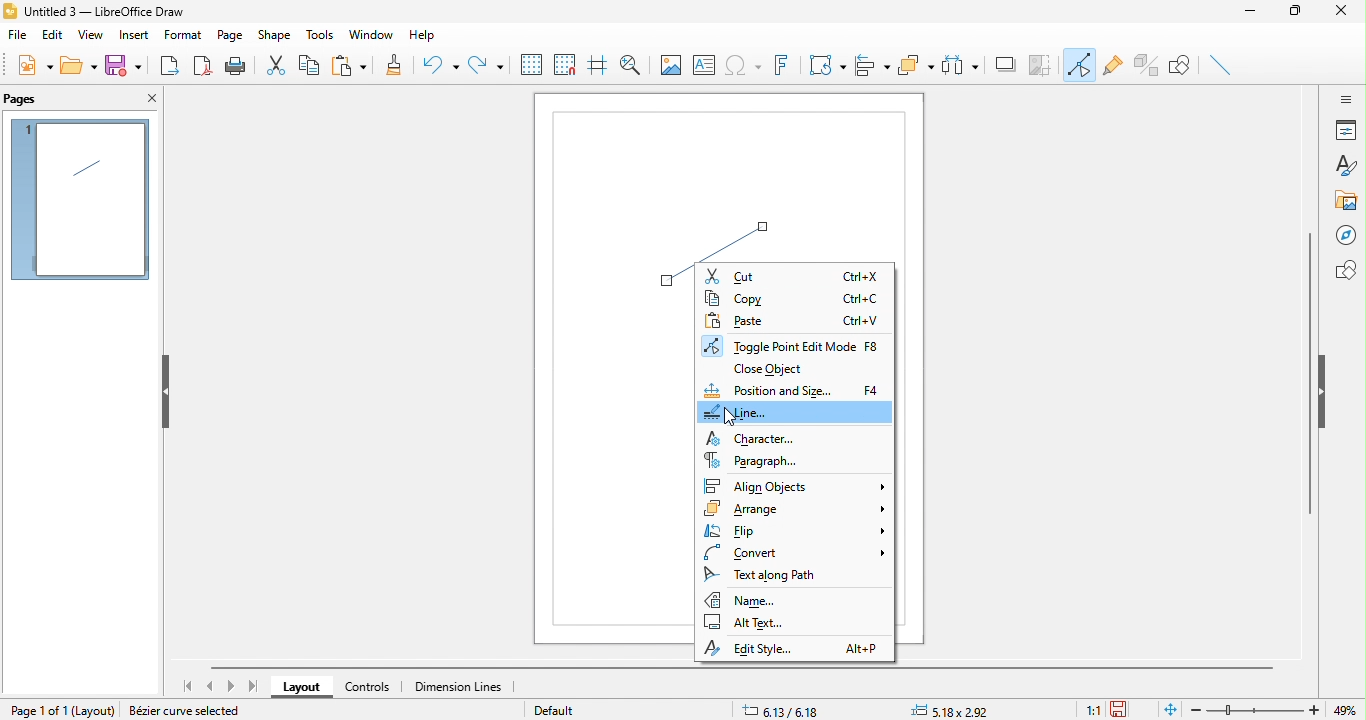 The height and width of the screenshot is (720, 1366). What do you see at coordinates (32, 68) in the screenshot?
I see `new` at bounding box center [32, 68].